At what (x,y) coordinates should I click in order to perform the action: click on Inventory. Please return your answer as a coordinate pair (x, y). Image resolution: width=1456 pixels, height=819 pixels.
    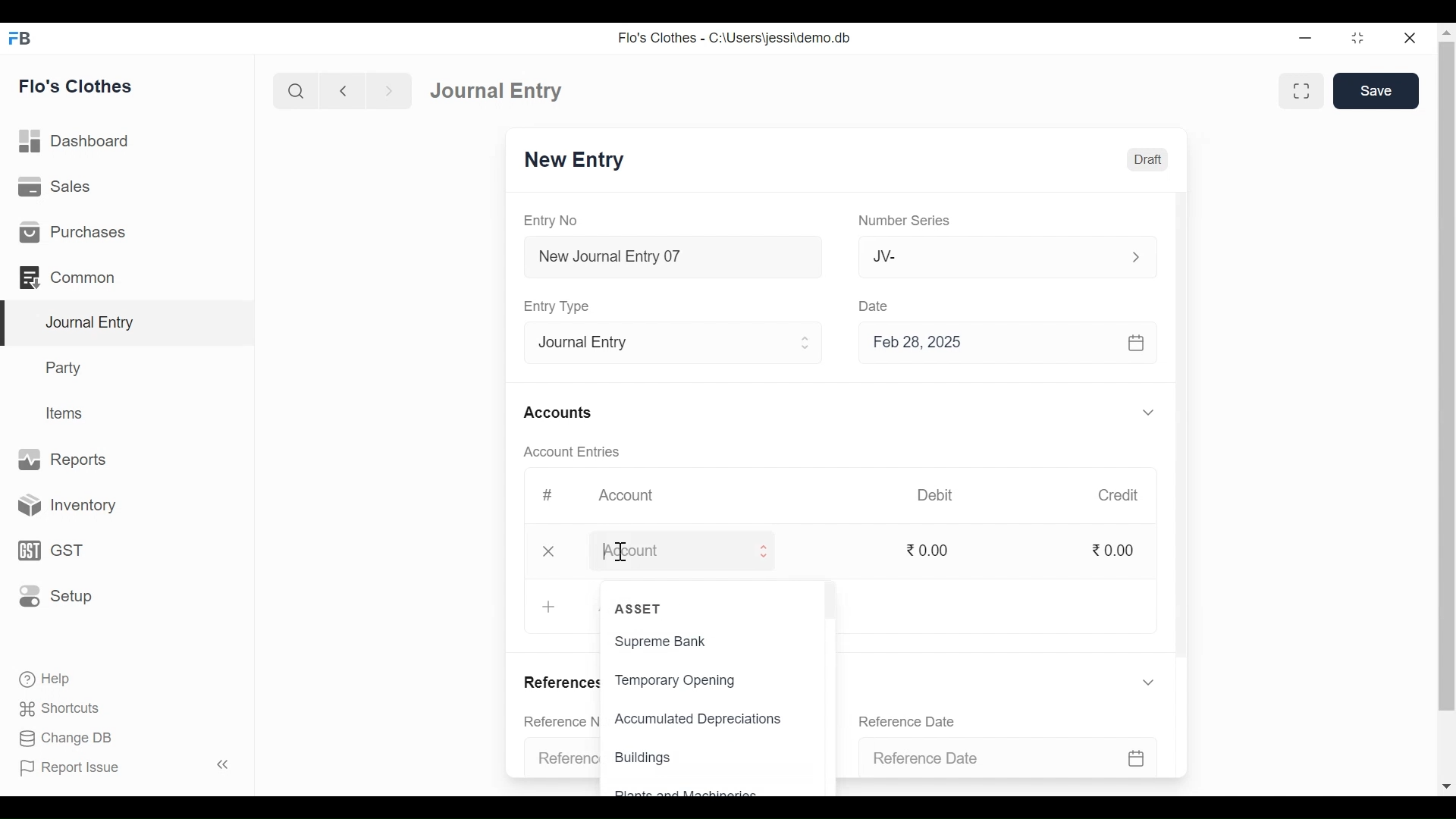
    Looking at the image, I should click on (61, 507).